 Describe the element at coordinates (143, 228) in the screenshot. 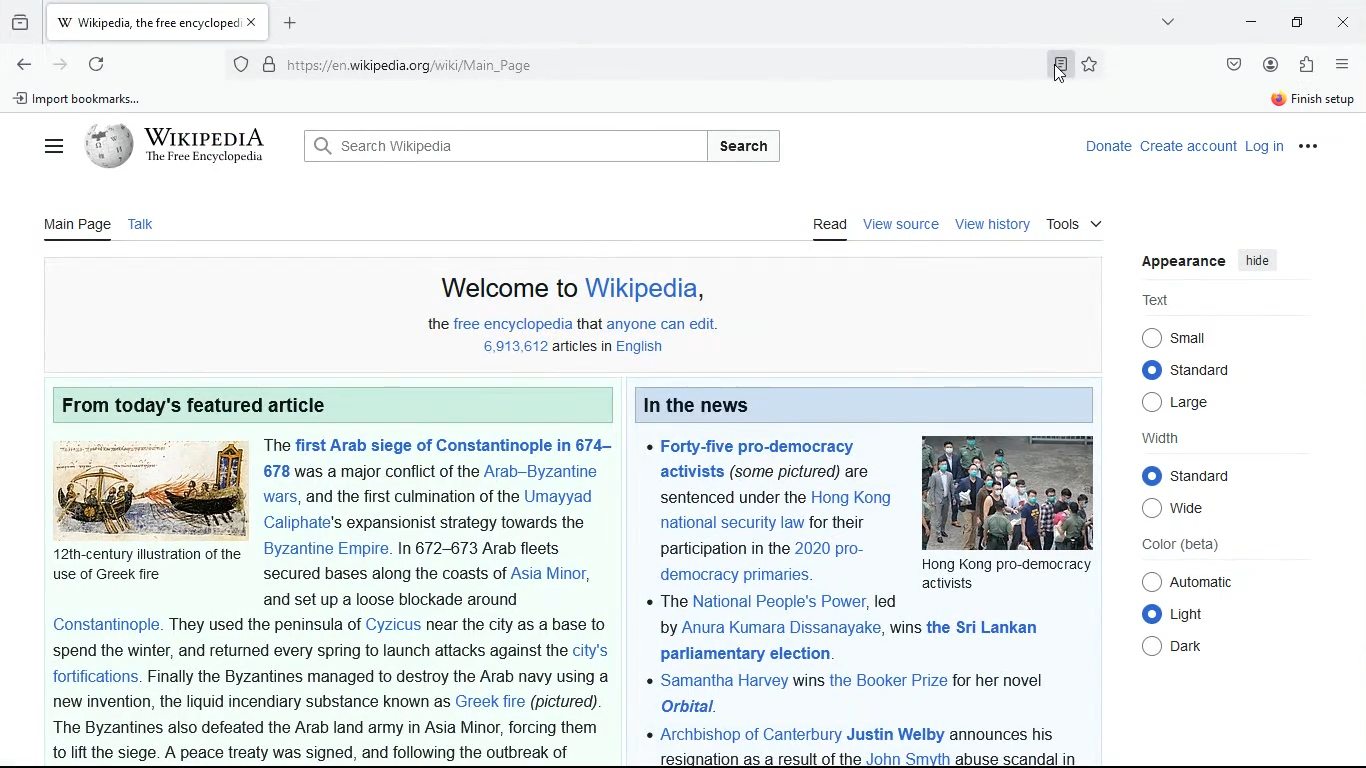

I see `talk` at that location.